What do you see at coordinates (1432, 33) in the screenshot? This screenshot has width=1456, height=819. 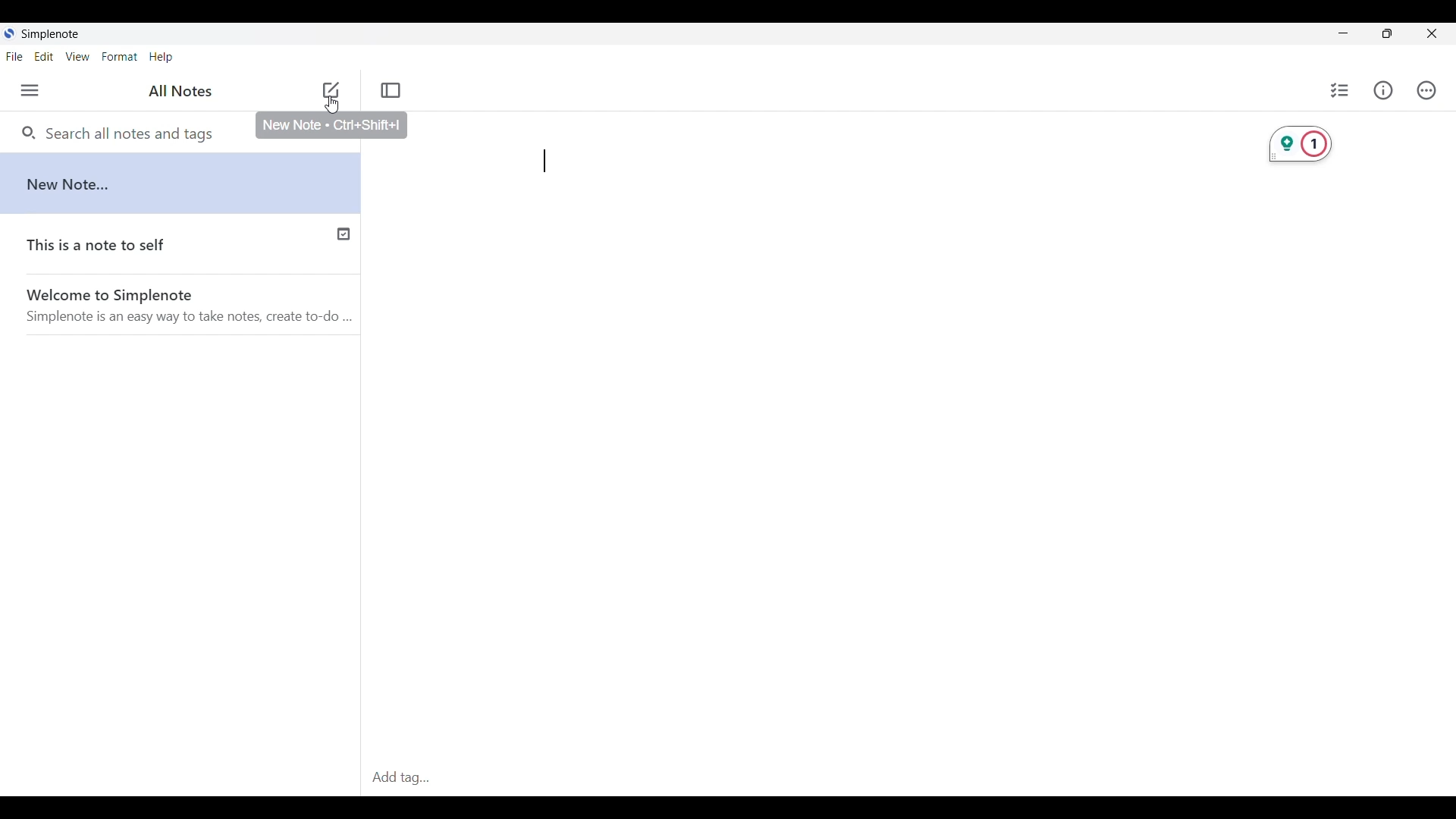 I see `Close interface` at bounding box center [1432, 33].